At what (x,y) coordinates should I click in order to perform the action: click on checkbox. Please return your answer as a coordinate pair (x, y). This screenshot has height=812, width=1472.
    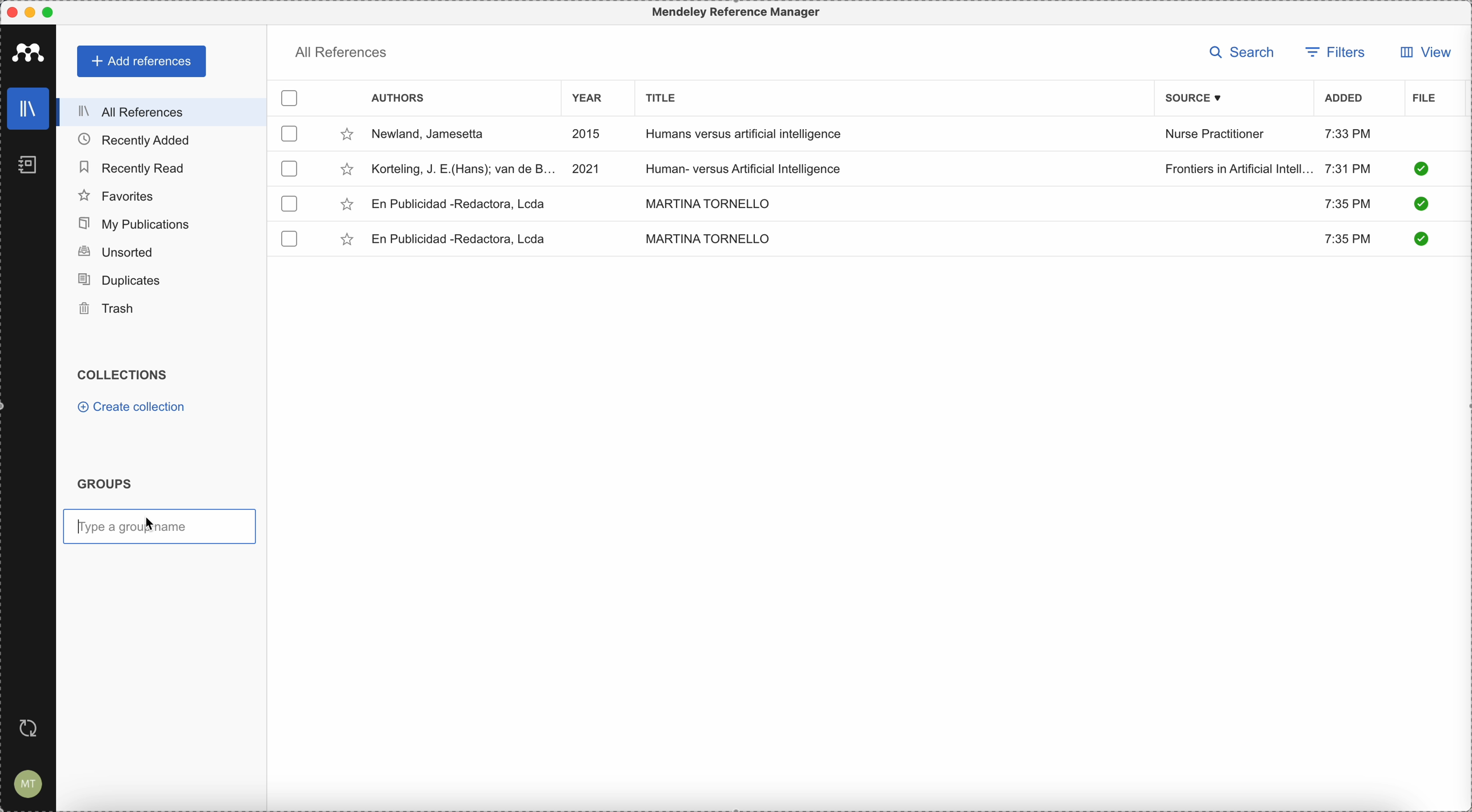
    Looking at the image, I should click on (289, 239).